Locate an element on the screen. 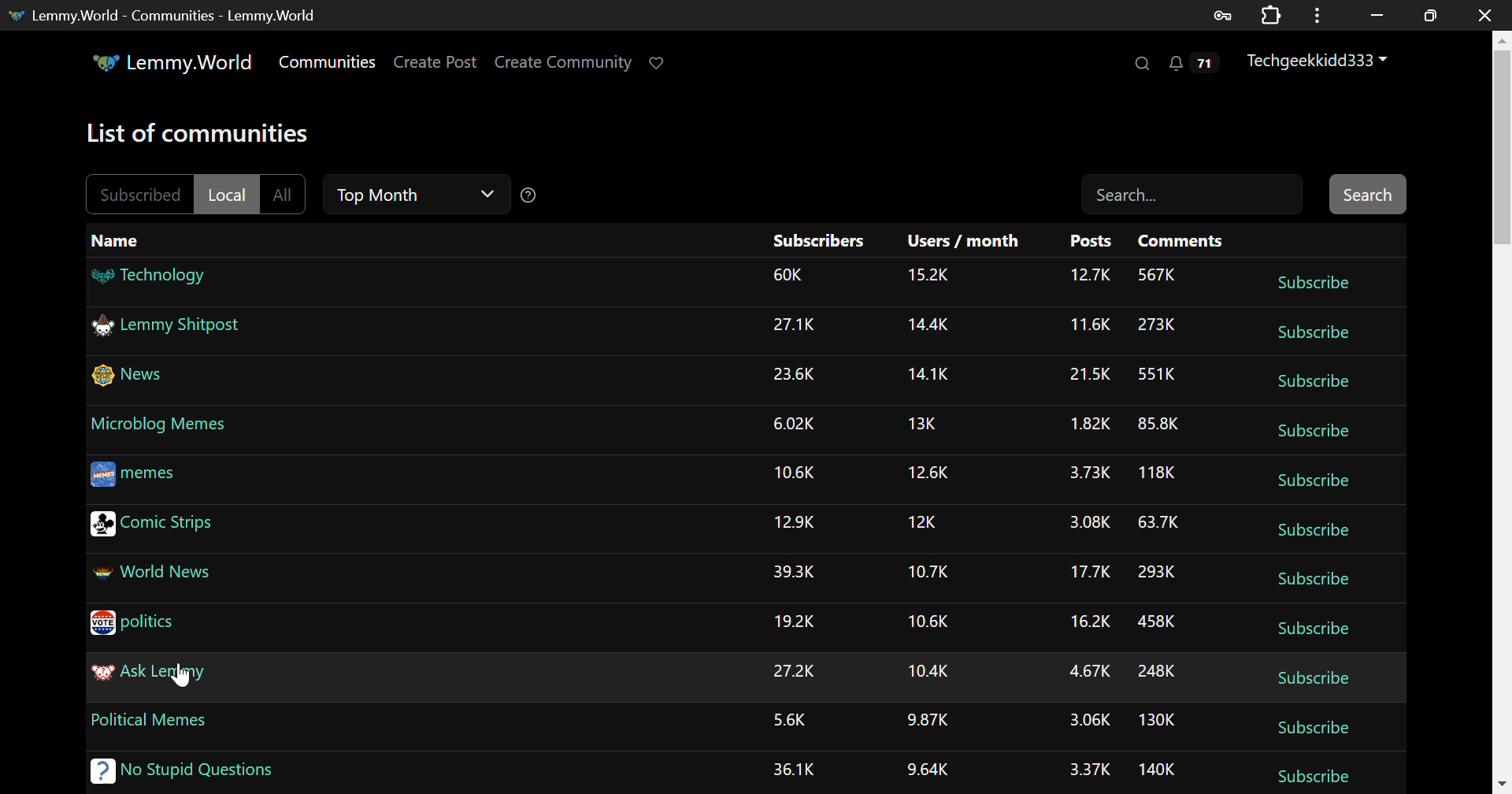  Amount is located at coordinates (1159, 522).